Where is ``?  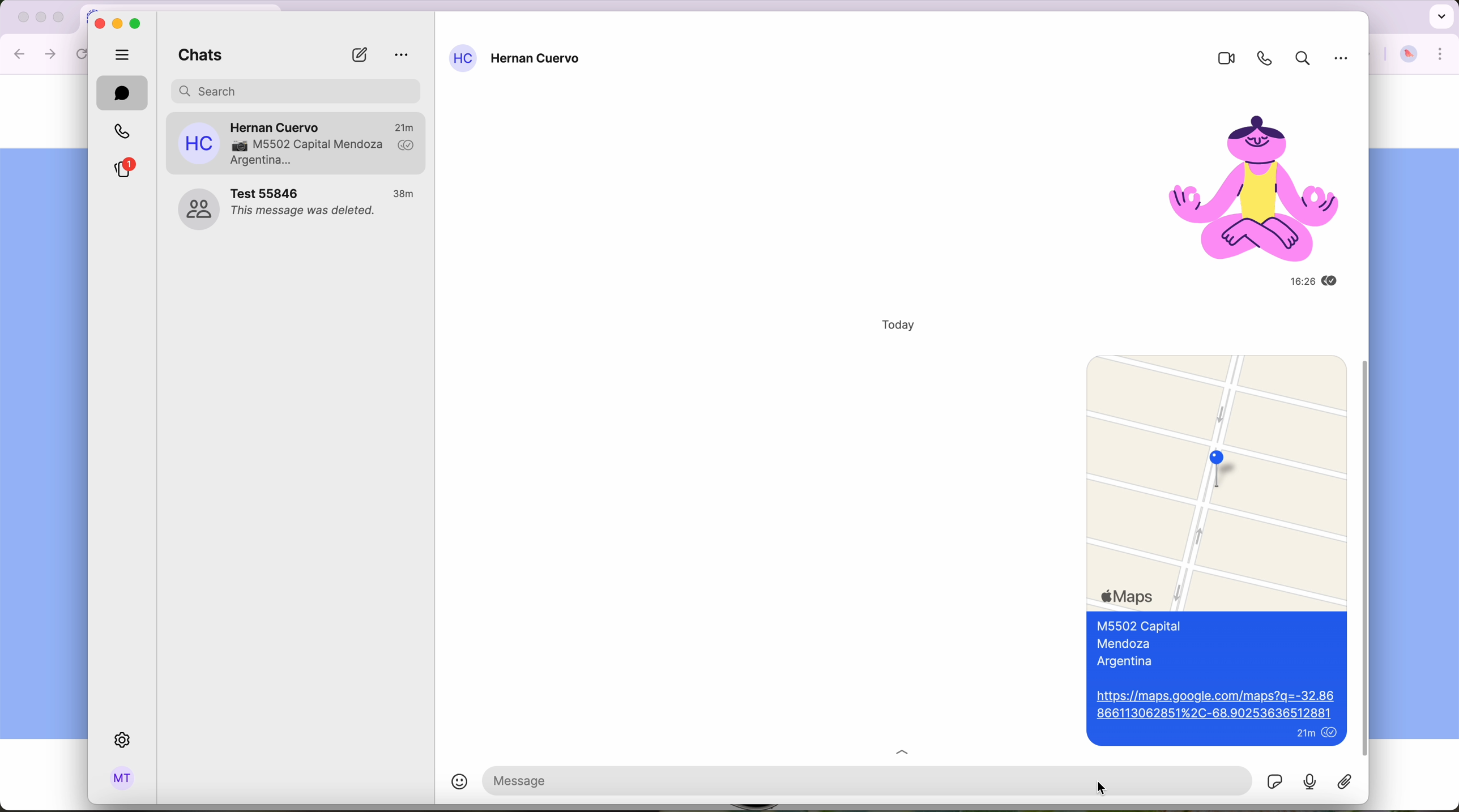  is located at coordinates (1343, 63).